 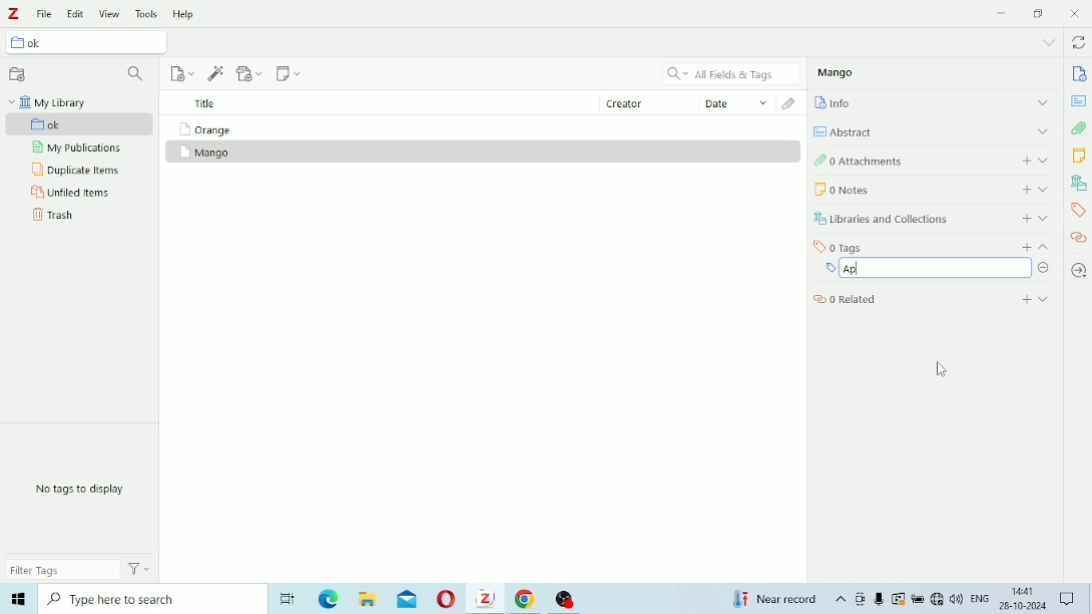 What do you see at coordinates (838, 72) in the screenshot?
I see `Mango` at bounding box center [838, 72].